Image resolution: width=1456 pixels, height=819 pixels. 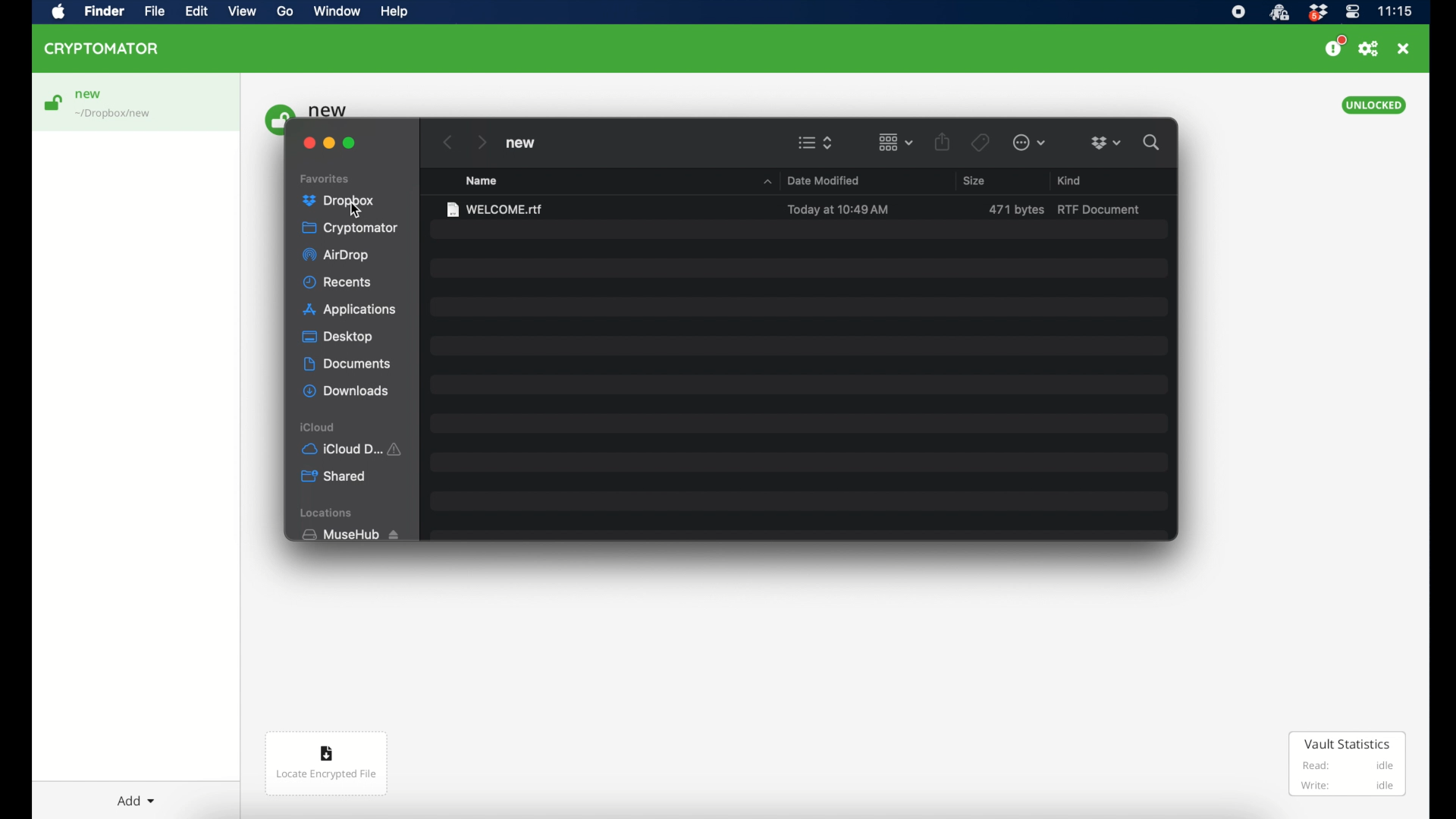 I want to click on date, so click(x=838, y=210).